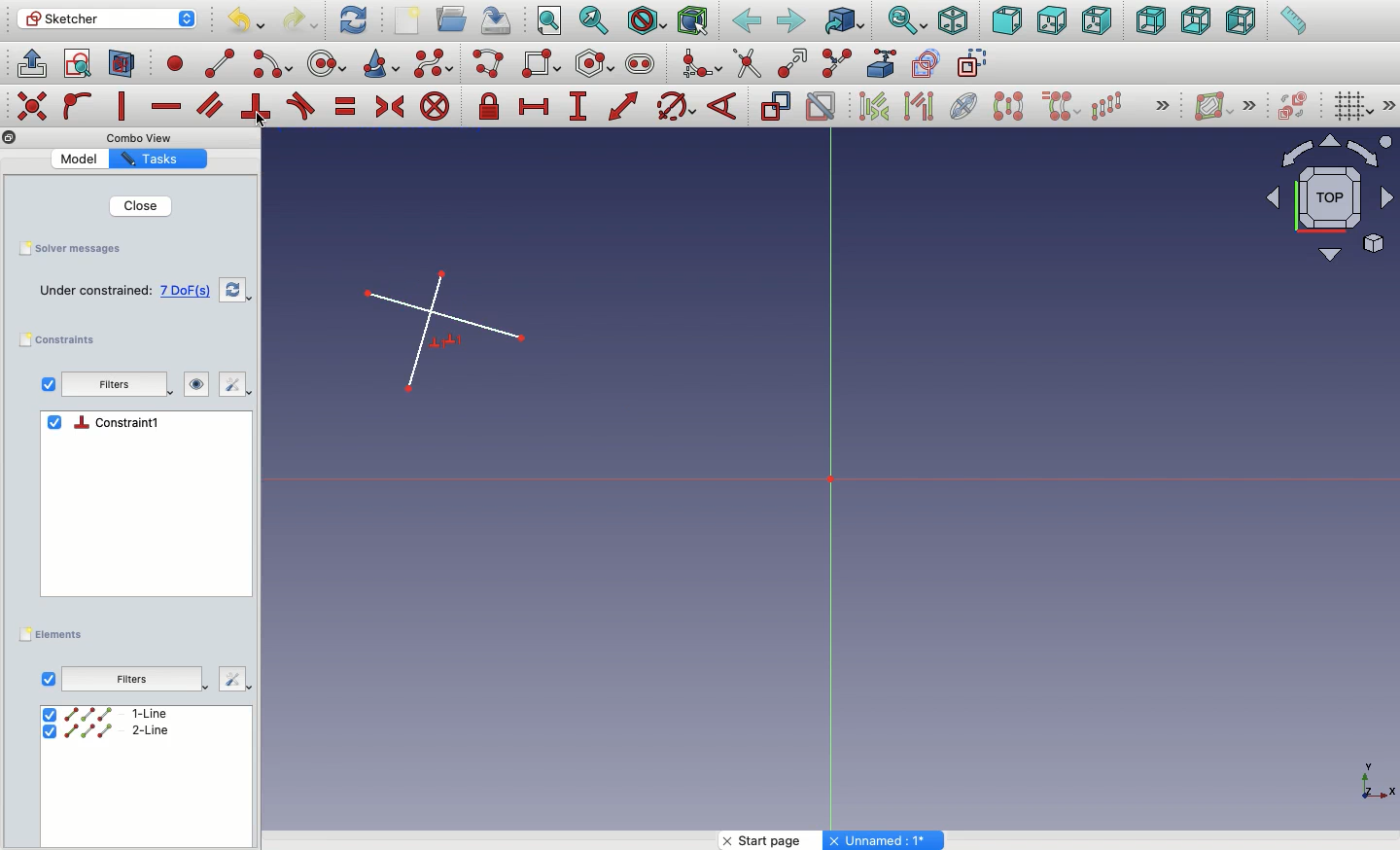 This screenshot has width=1400, height=850. Describe the element at coordinates (435, 108) in the screenshot. I see `Constrain block` at that location.